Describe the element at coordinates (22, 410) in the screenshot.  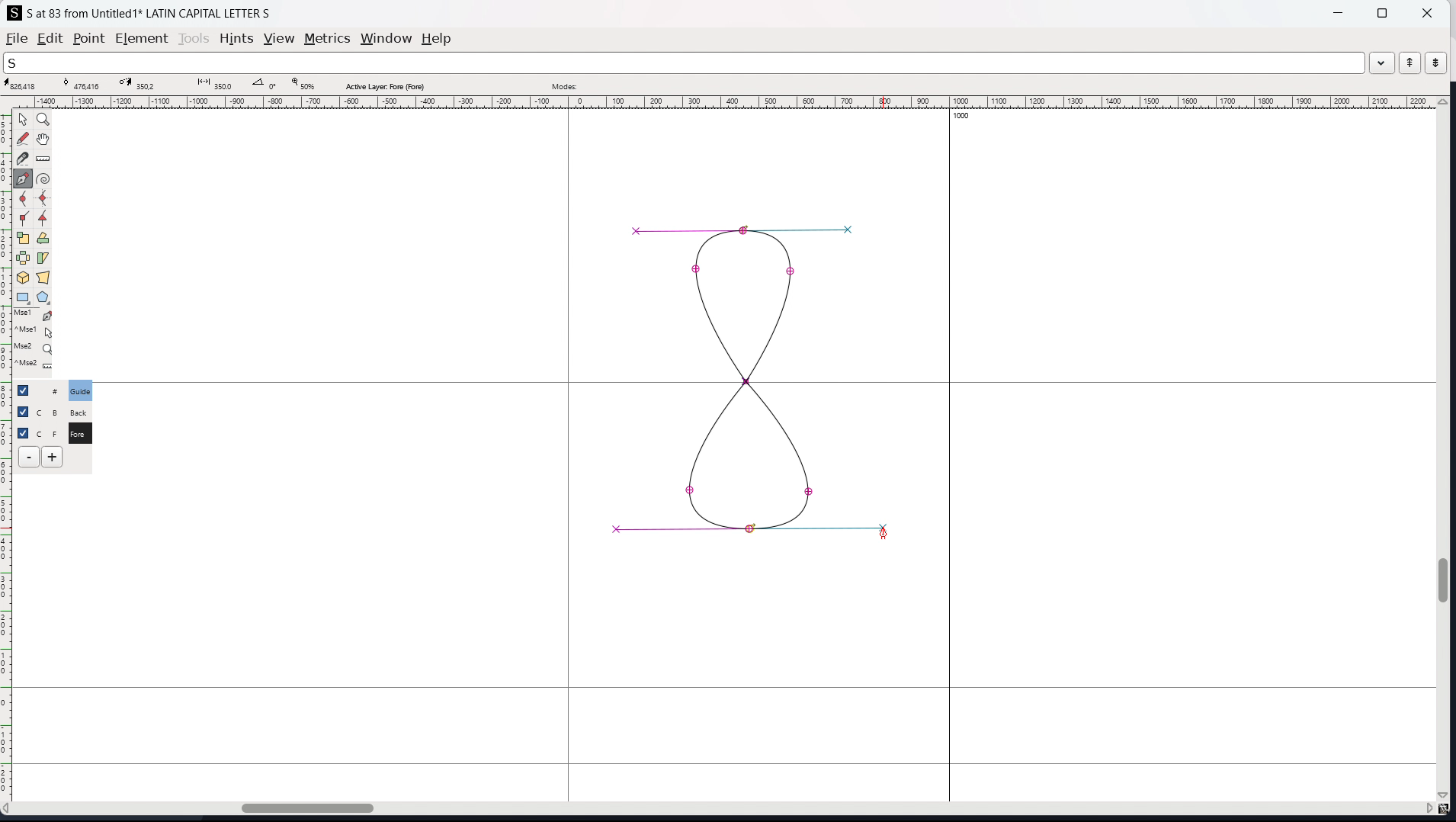
I see `checkbox` at that location.